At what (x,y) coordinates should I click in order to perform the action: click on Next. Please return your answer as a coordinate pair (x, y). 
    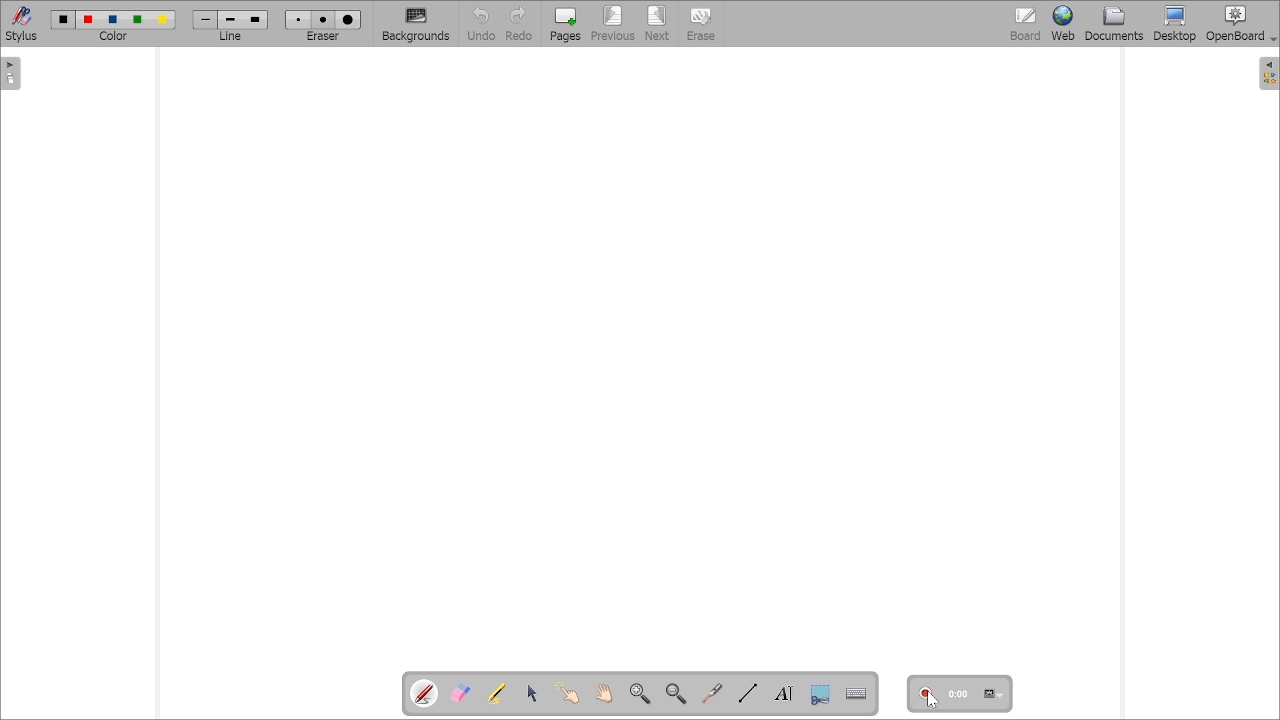
    Looking at the image, I should click on (658, 24).